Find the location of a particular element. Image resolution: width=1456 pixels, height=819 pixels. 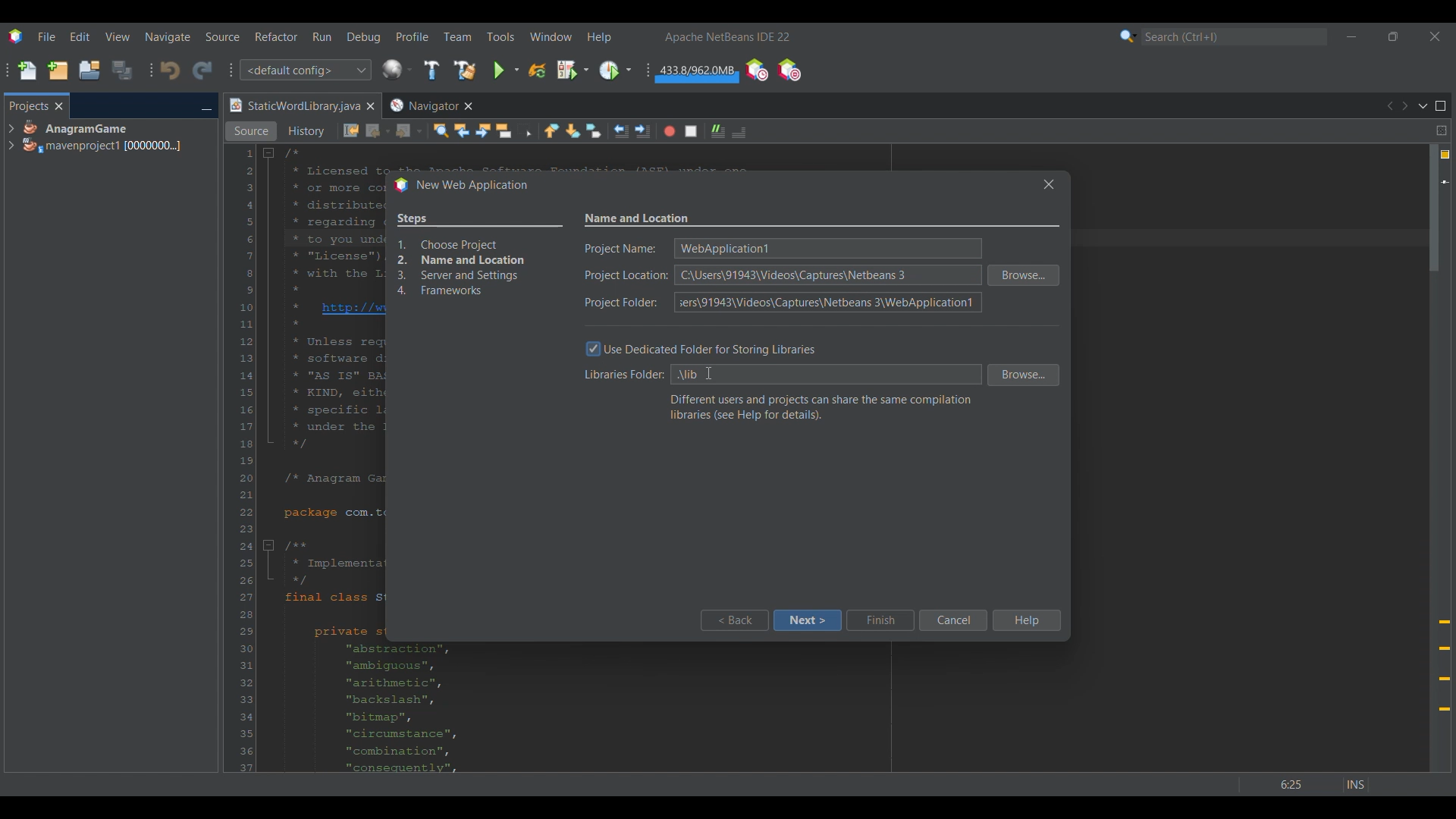

Minimize is located at coordinates (206, 107).